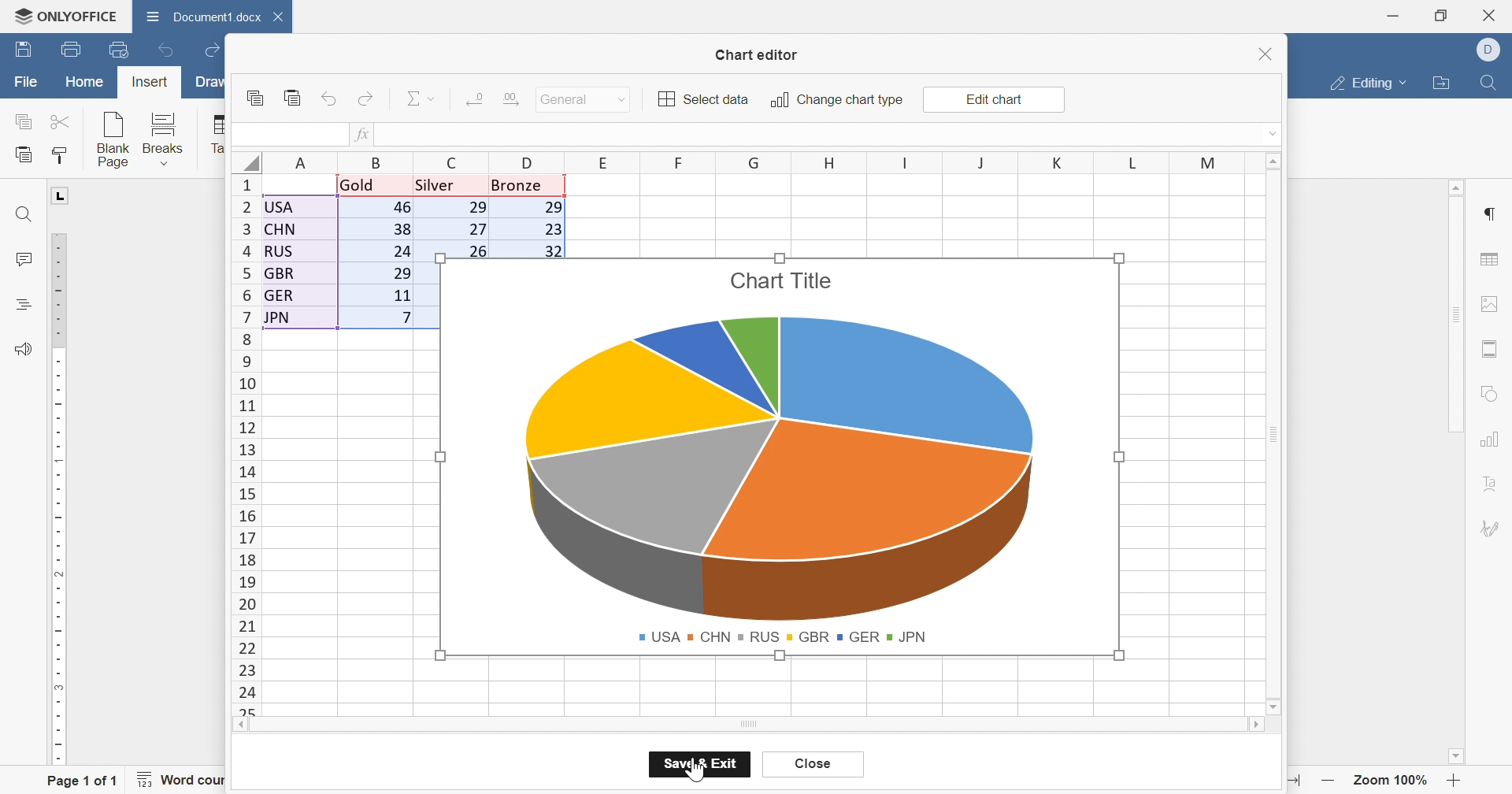 Image resolution: width=1512 pixels, height=794 pixels. Describe the element at coordinates (1289, 778) in the screenshot. I see `Fit to width` at that location.